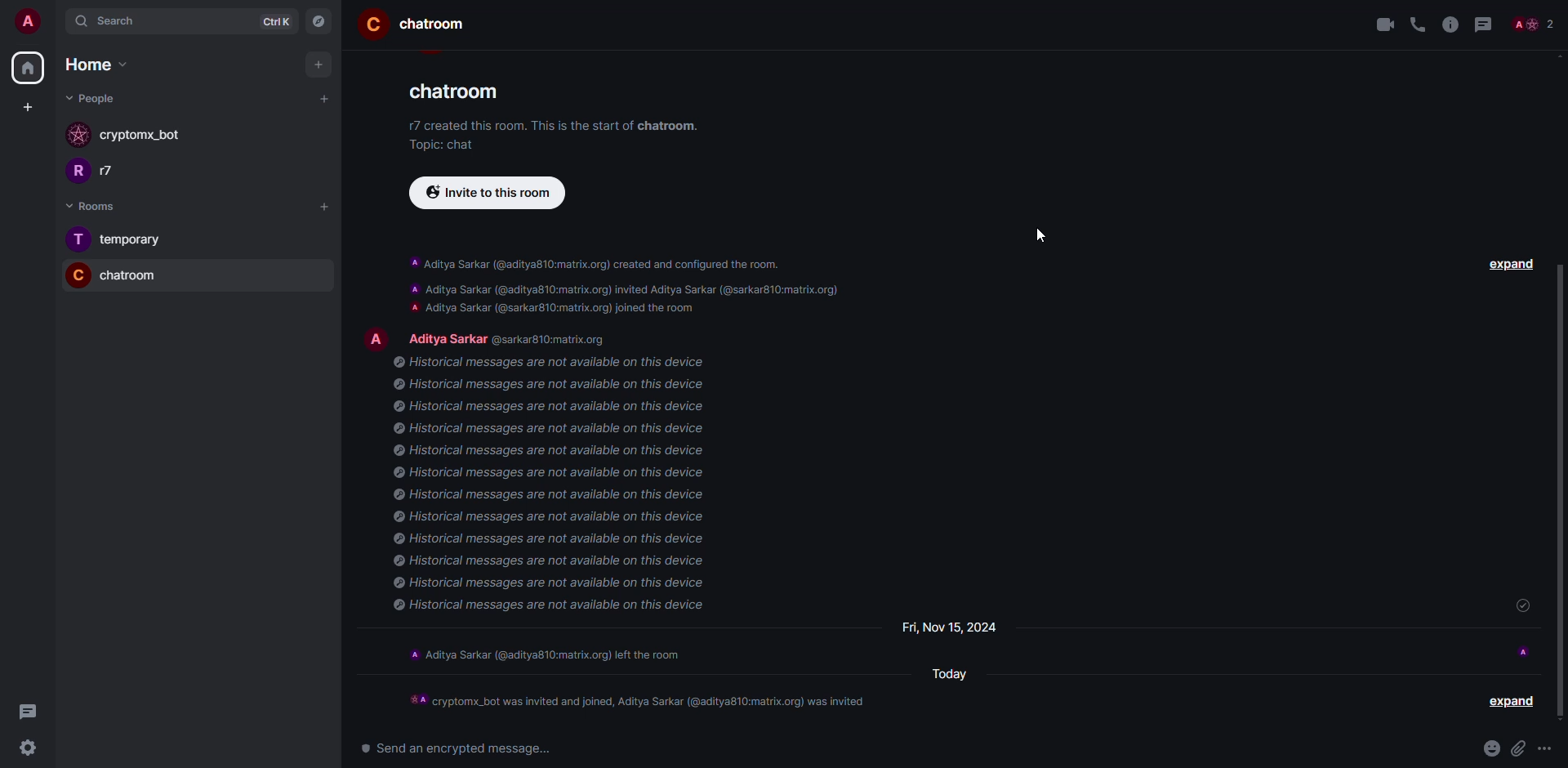  I want to click on info, so click(636, 287).